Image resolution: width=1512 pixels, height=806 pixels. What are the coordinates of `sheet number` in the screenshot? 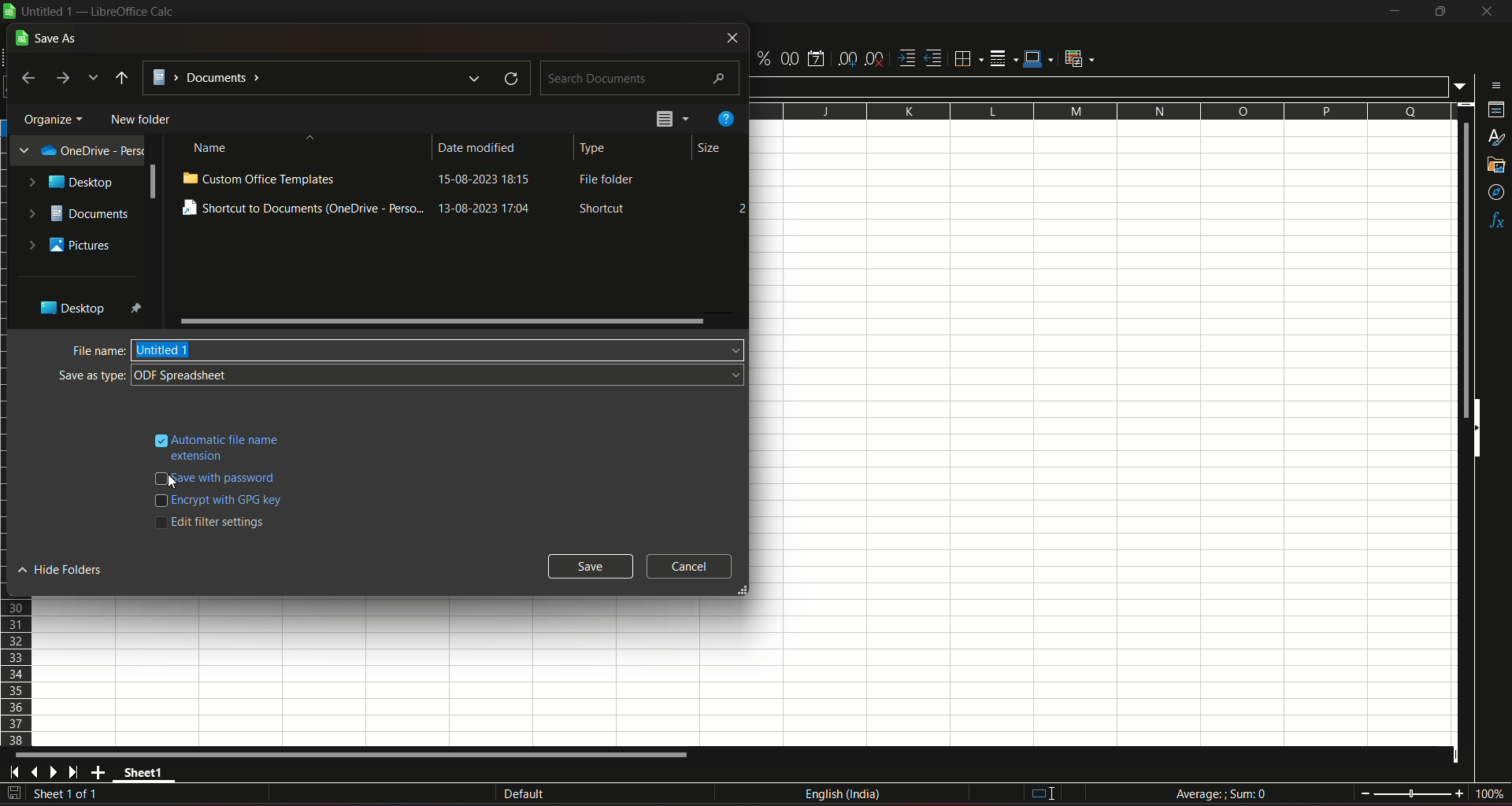 It's located at (74, 795).